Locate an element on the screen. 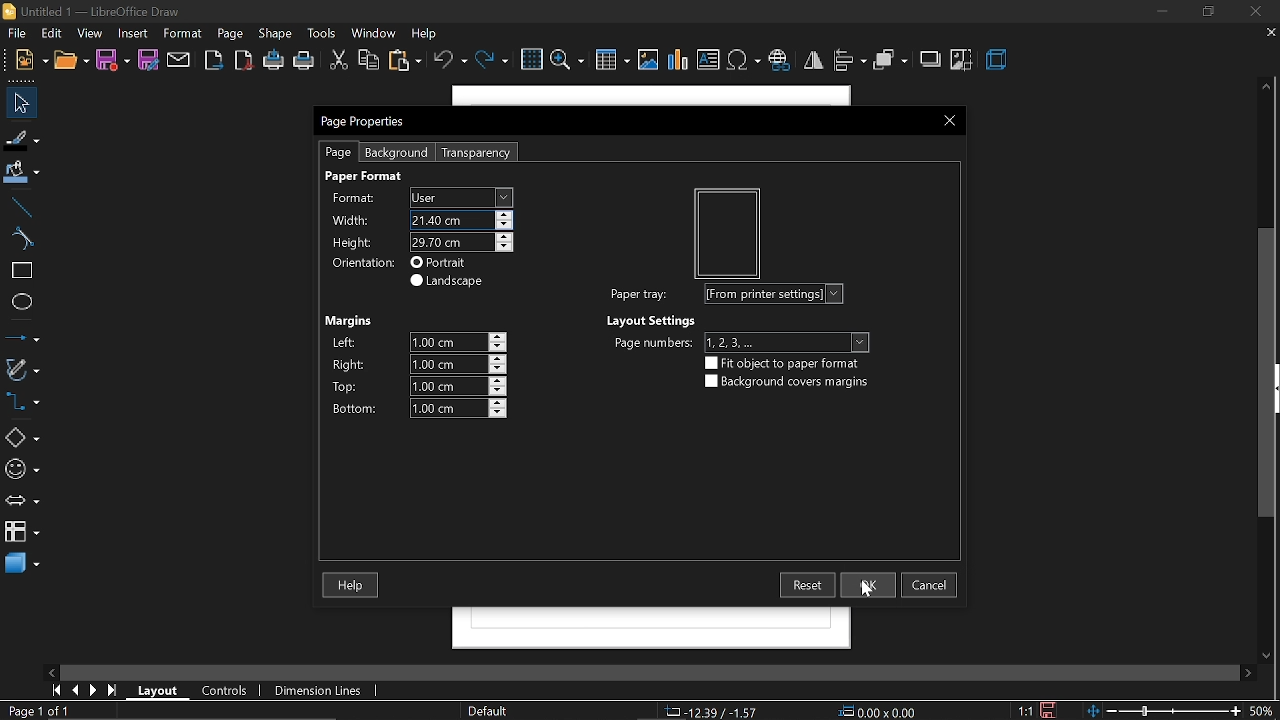 The width and height of the screenshot is (1280, 720). save is located at coordinates (113, 63).